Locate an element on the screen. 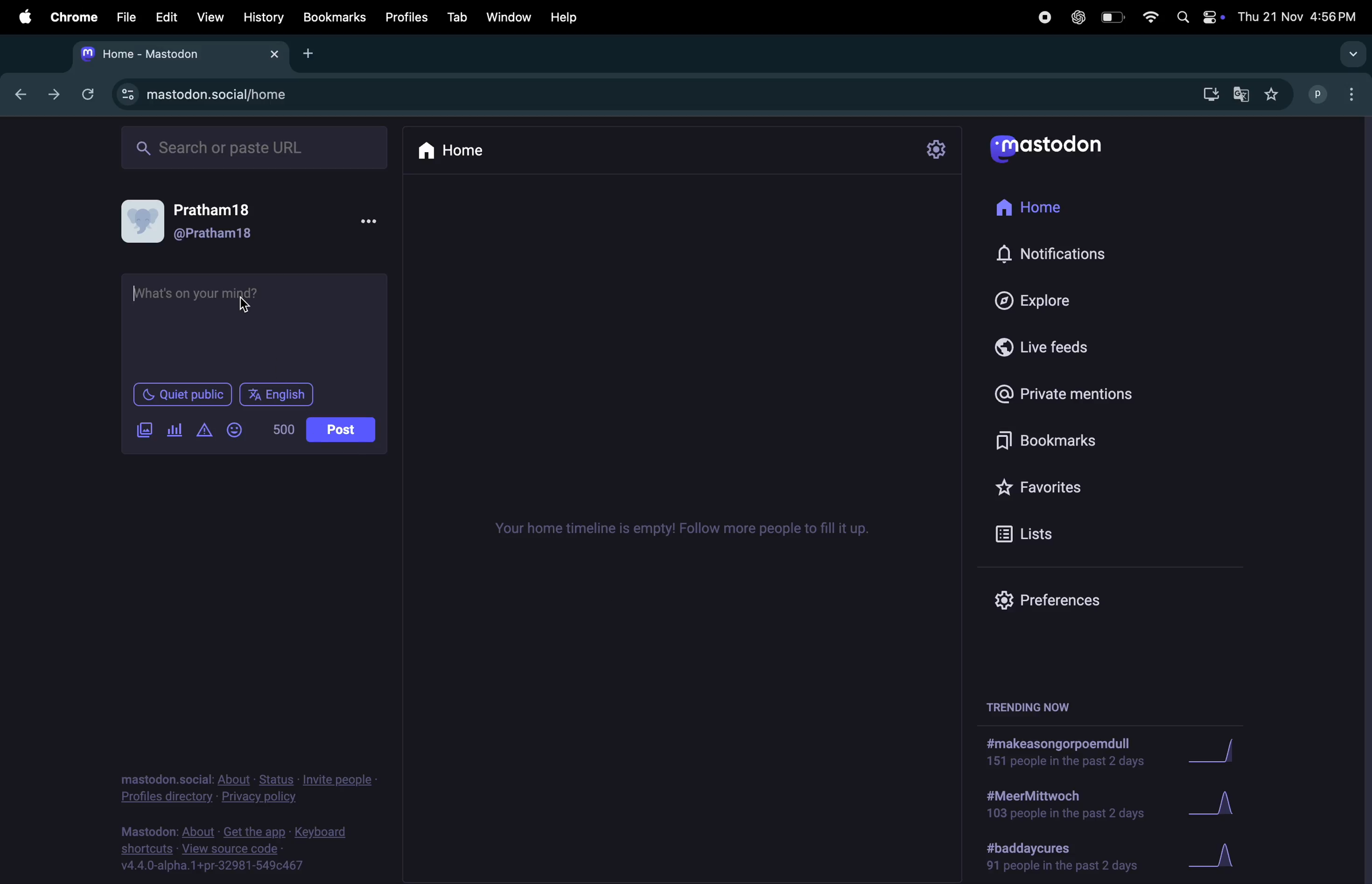 The height and width of the screenshot is (884, 1372). profiles is located at coordinates (404, 17).